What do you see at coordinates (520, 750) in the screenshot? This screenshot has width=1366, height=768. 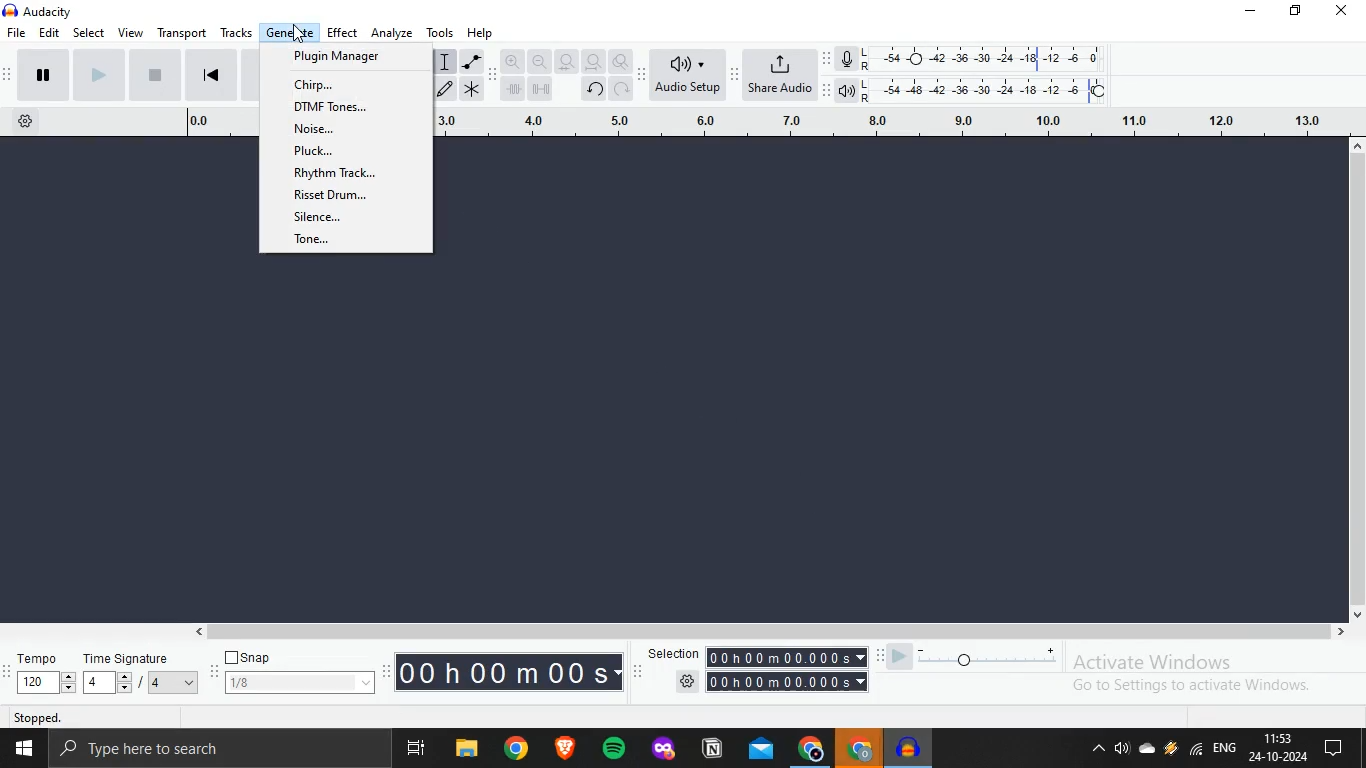 I see `Chrome` at bounding box center [520, 750].